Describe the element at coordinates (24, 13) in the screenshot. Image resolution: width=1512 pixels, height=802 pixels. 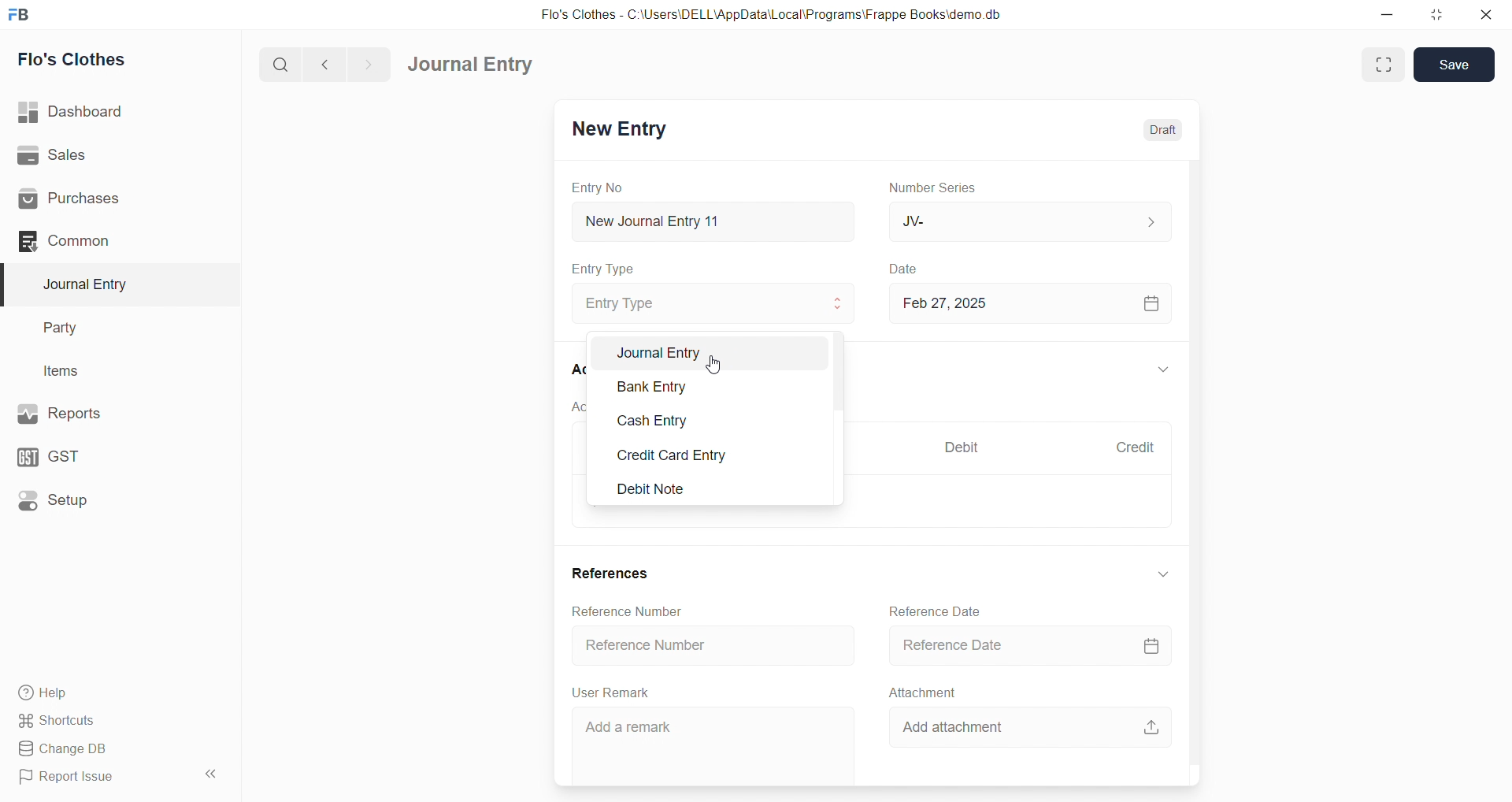
I see `logo` at that location.